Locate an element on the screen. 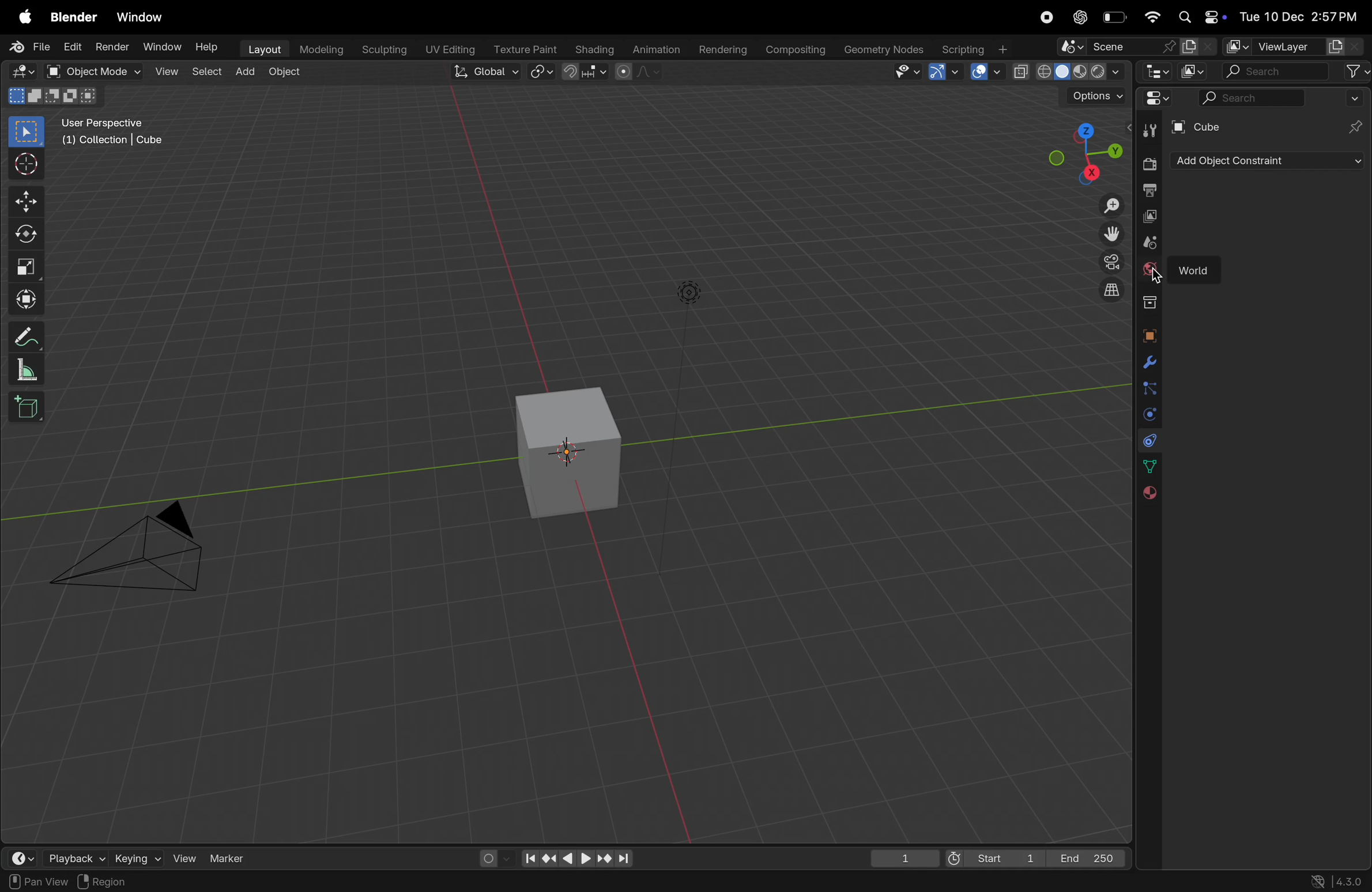  auto keying is located at coordinates (491, 857).